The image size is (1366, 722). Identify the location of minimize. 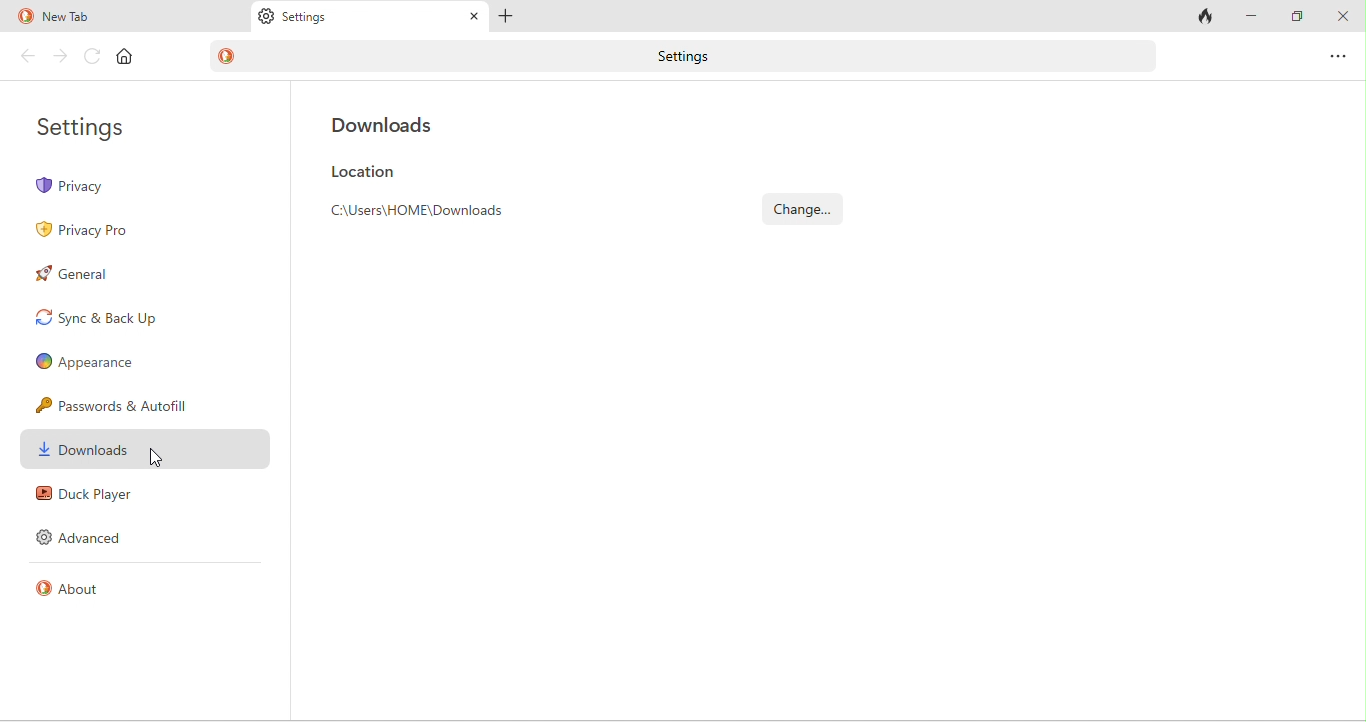
(1255, 16).